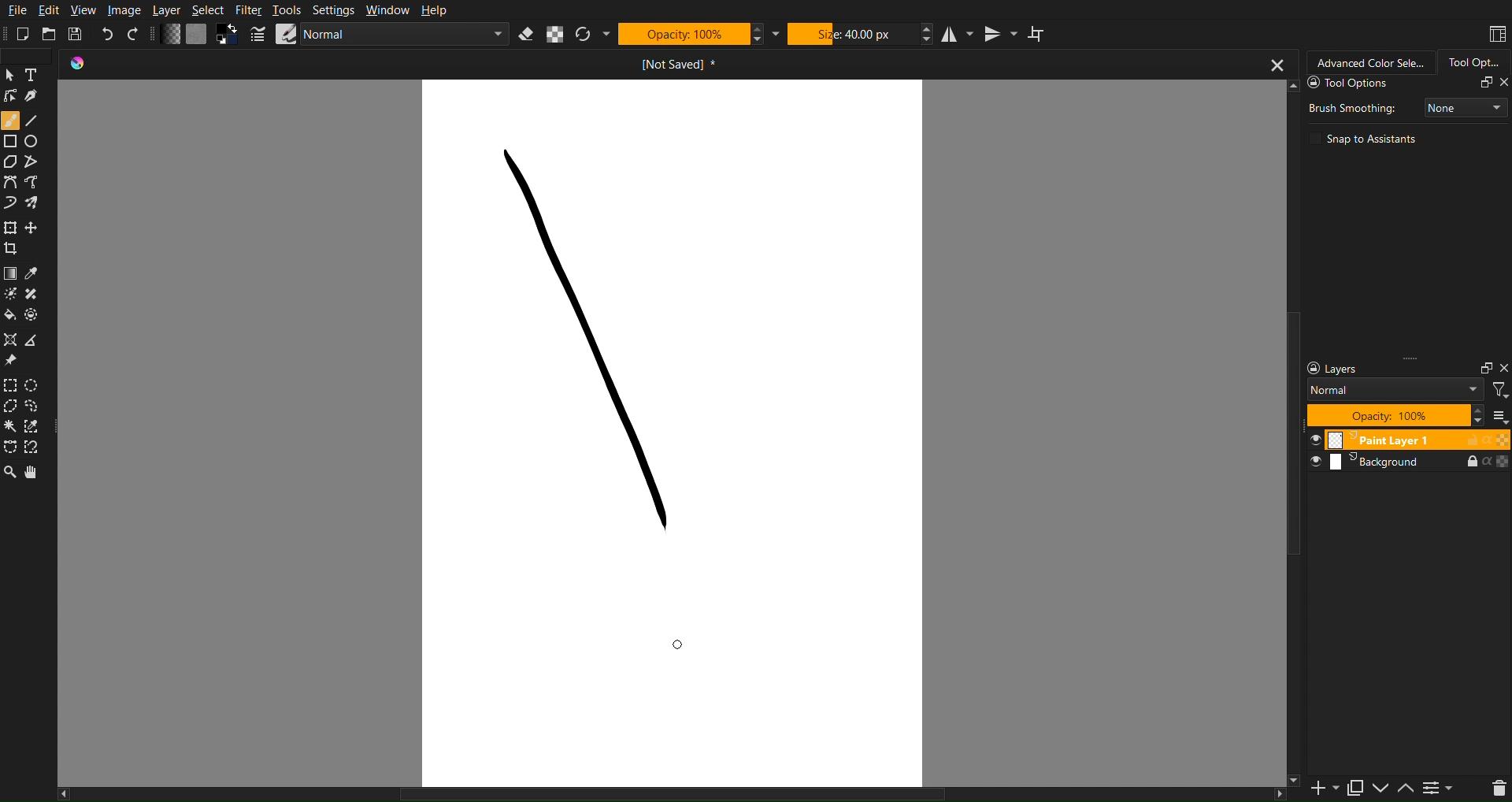 The width and height of the screenshot is (1512, 802). I want to click on Brush Settings, so click(393, 34).